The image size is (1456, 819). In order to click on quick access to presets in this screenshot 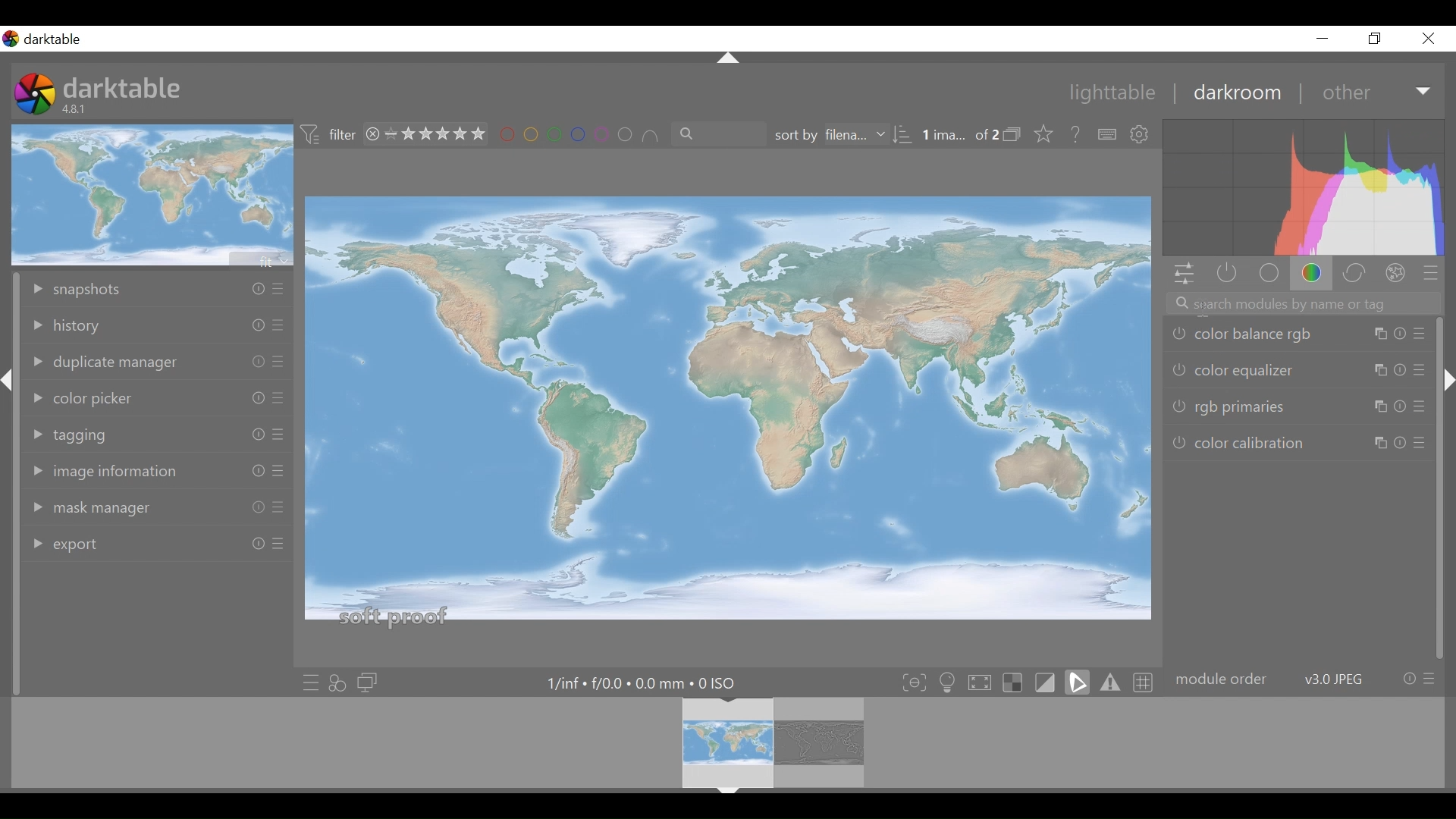, I will do `click(307, 683)`.